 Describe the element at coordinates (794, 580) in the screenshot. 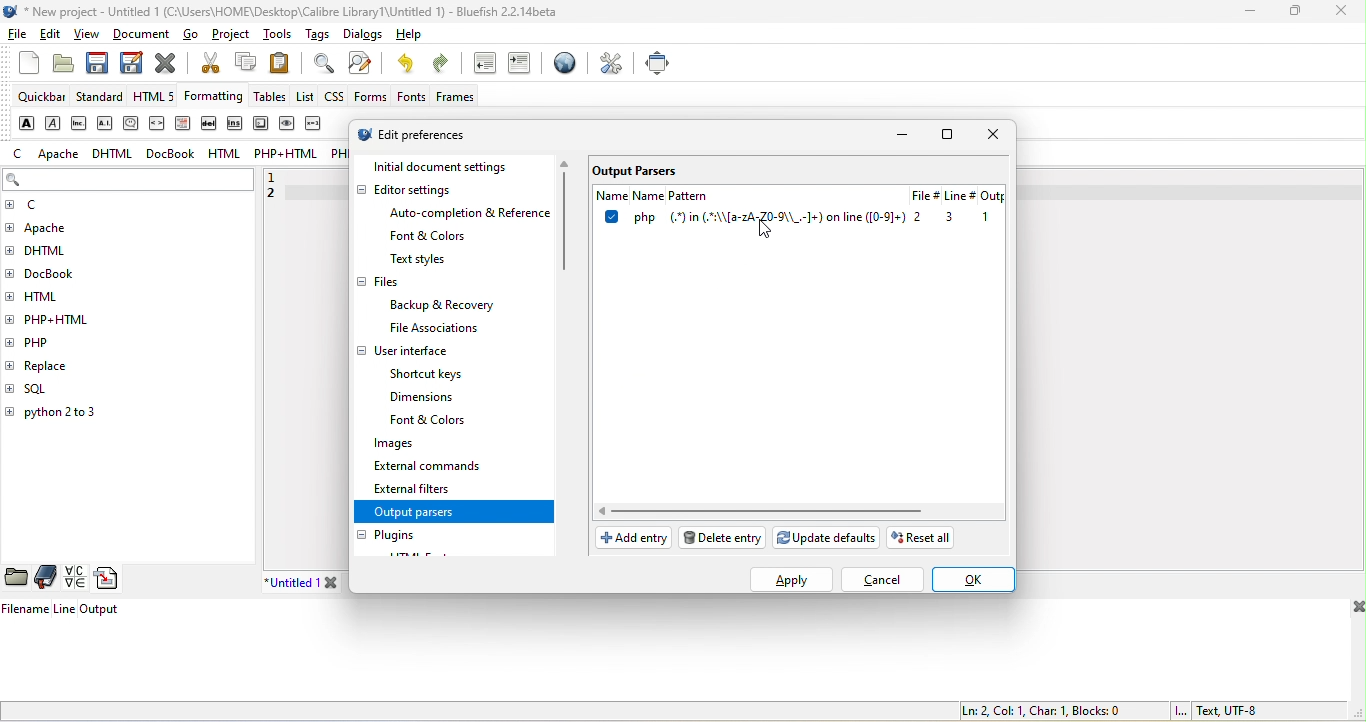

I see `apply` at that location.